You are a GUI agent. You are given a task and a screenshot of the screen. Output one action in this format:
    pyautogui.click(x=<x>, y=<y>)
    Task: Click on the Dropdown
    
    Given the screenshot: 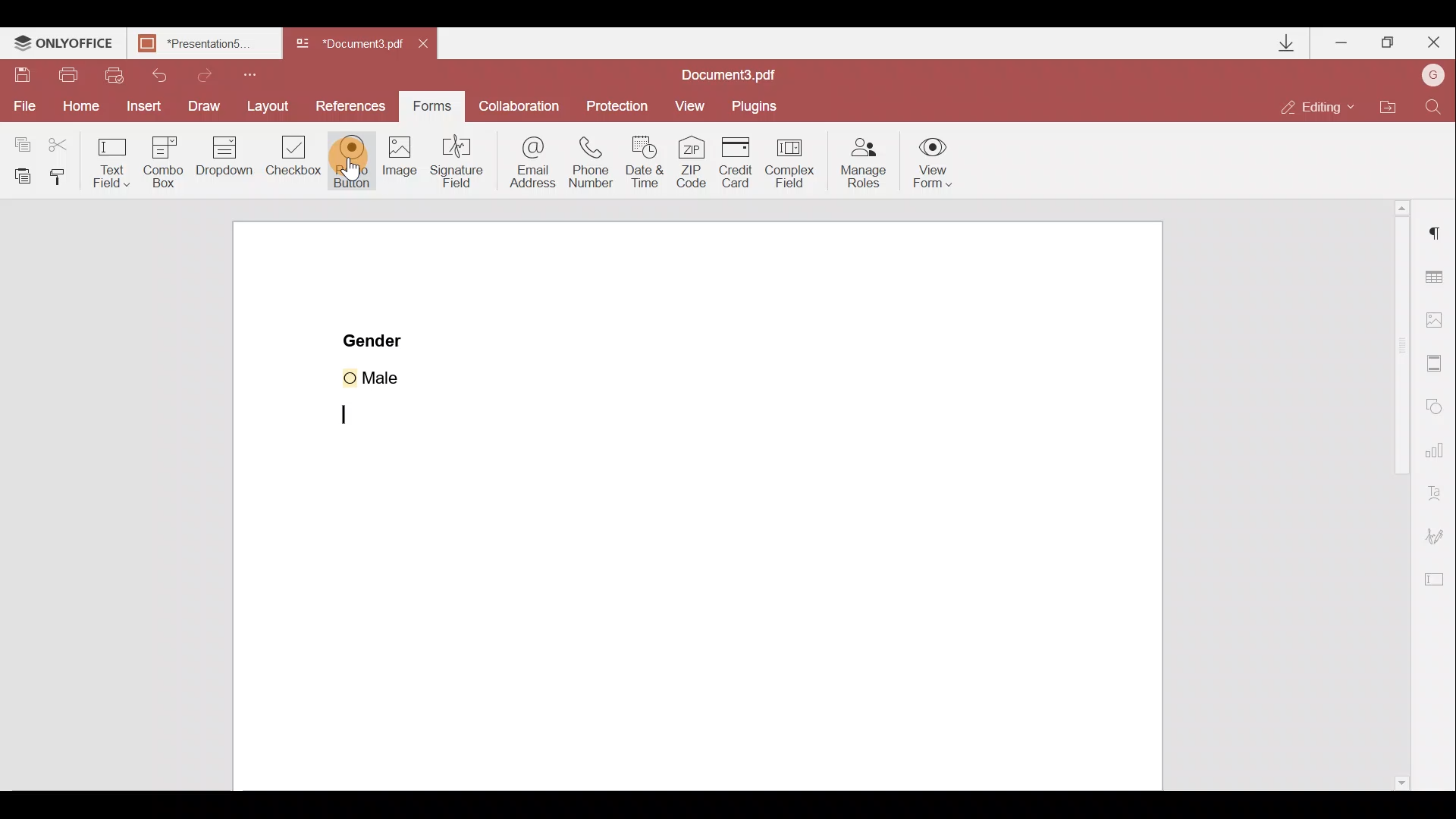 What is the action you would take?
    pyautogui.click(x=224, y=163)
    